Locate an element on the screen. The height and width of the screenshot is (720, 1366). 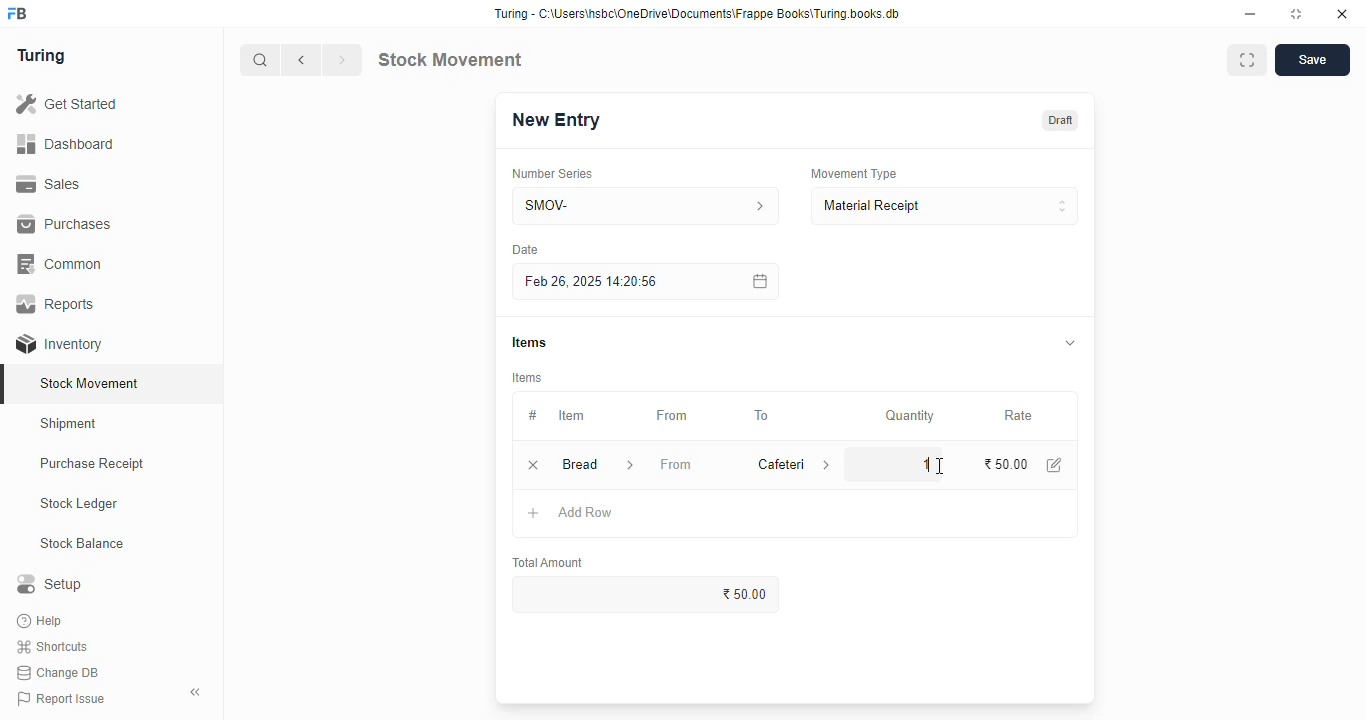
search is located at coordinates (261, 60).